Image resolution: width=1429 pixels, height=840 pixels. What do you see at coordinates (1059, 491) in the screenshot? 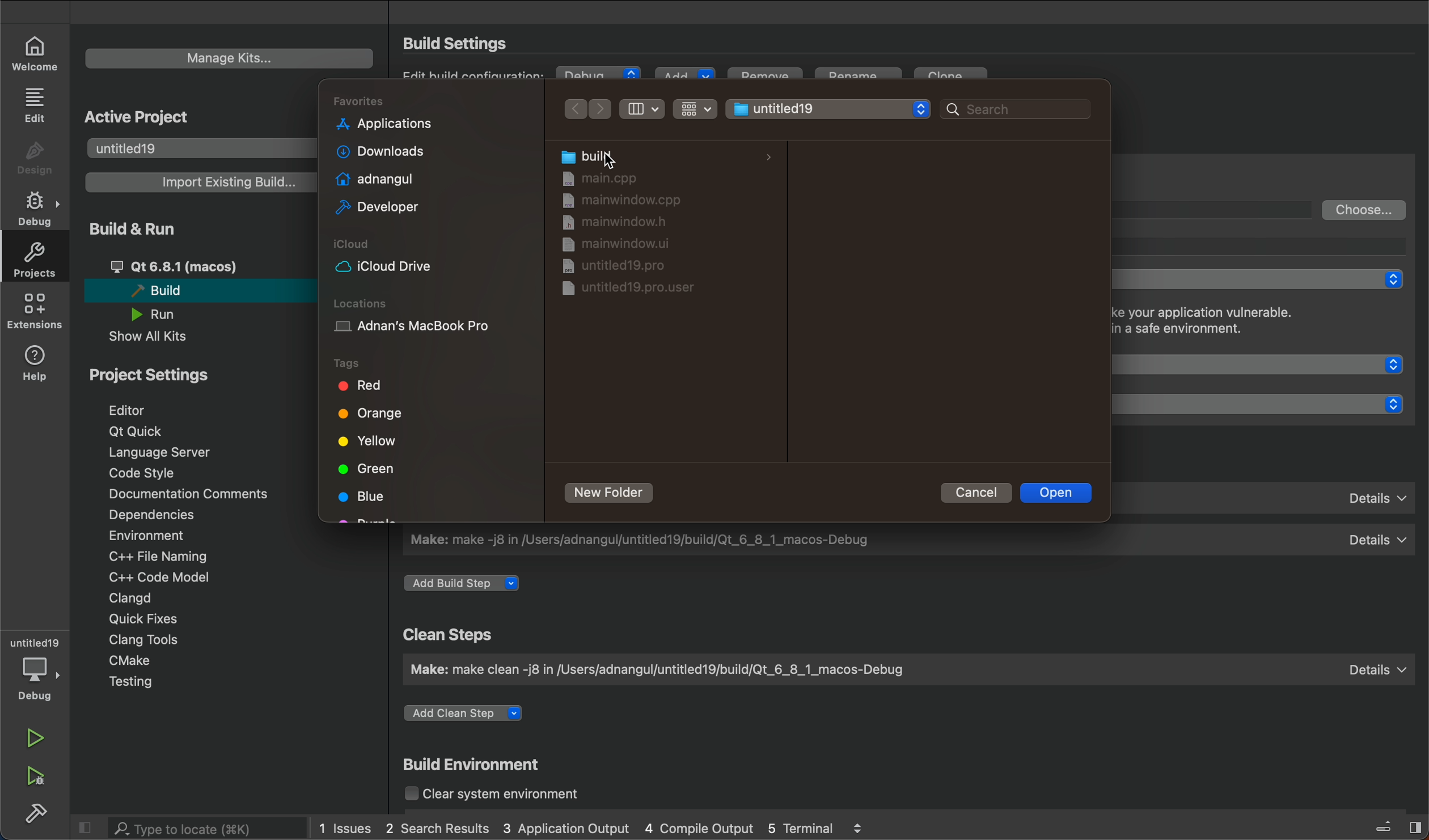
I see `open` at bounding box center [1059, 491].